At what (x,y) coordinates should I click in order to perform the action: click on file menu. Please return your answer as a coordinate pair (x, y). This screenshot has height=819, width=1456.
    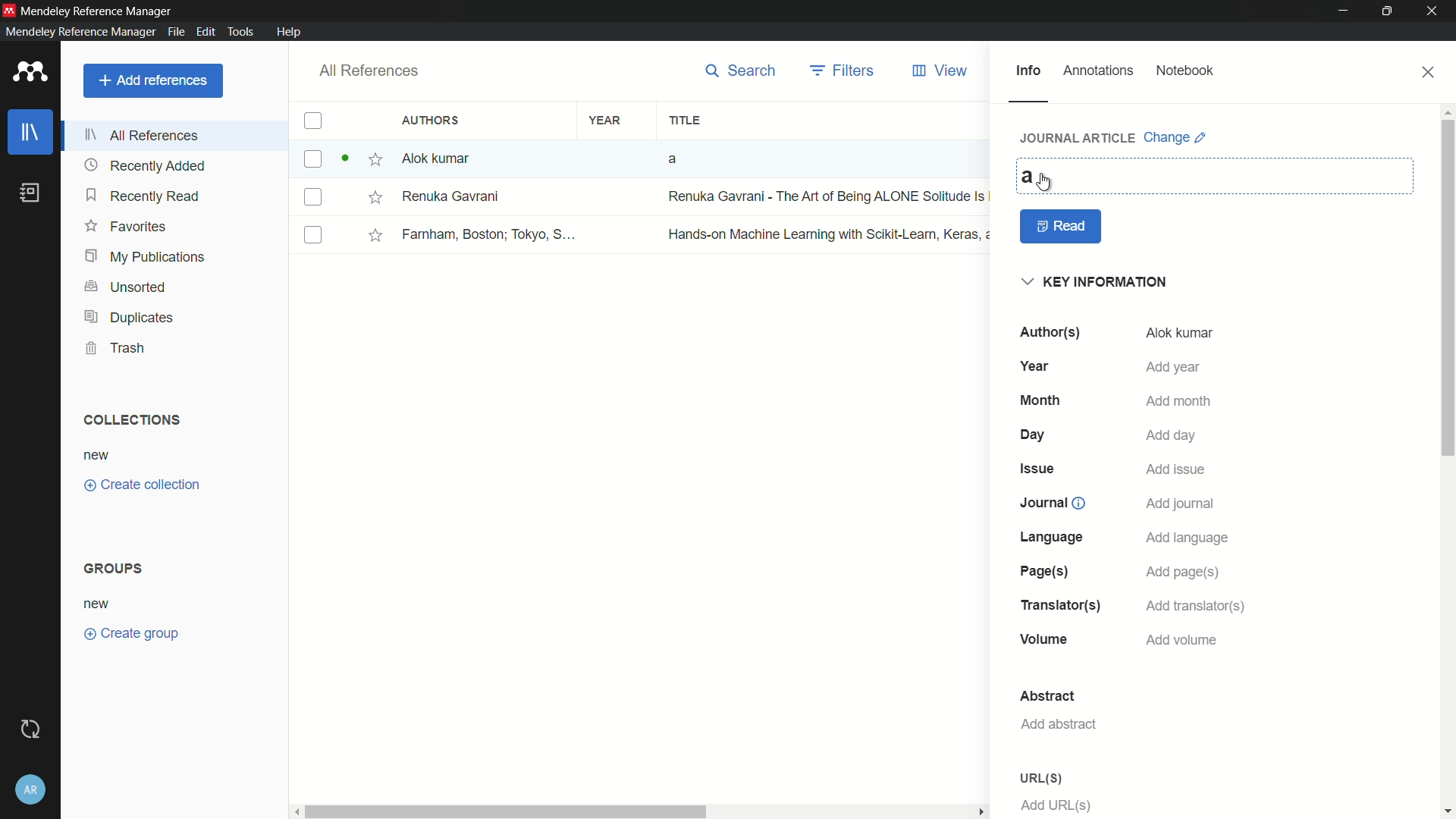
    Looking at the image, I should click on (174, 31).